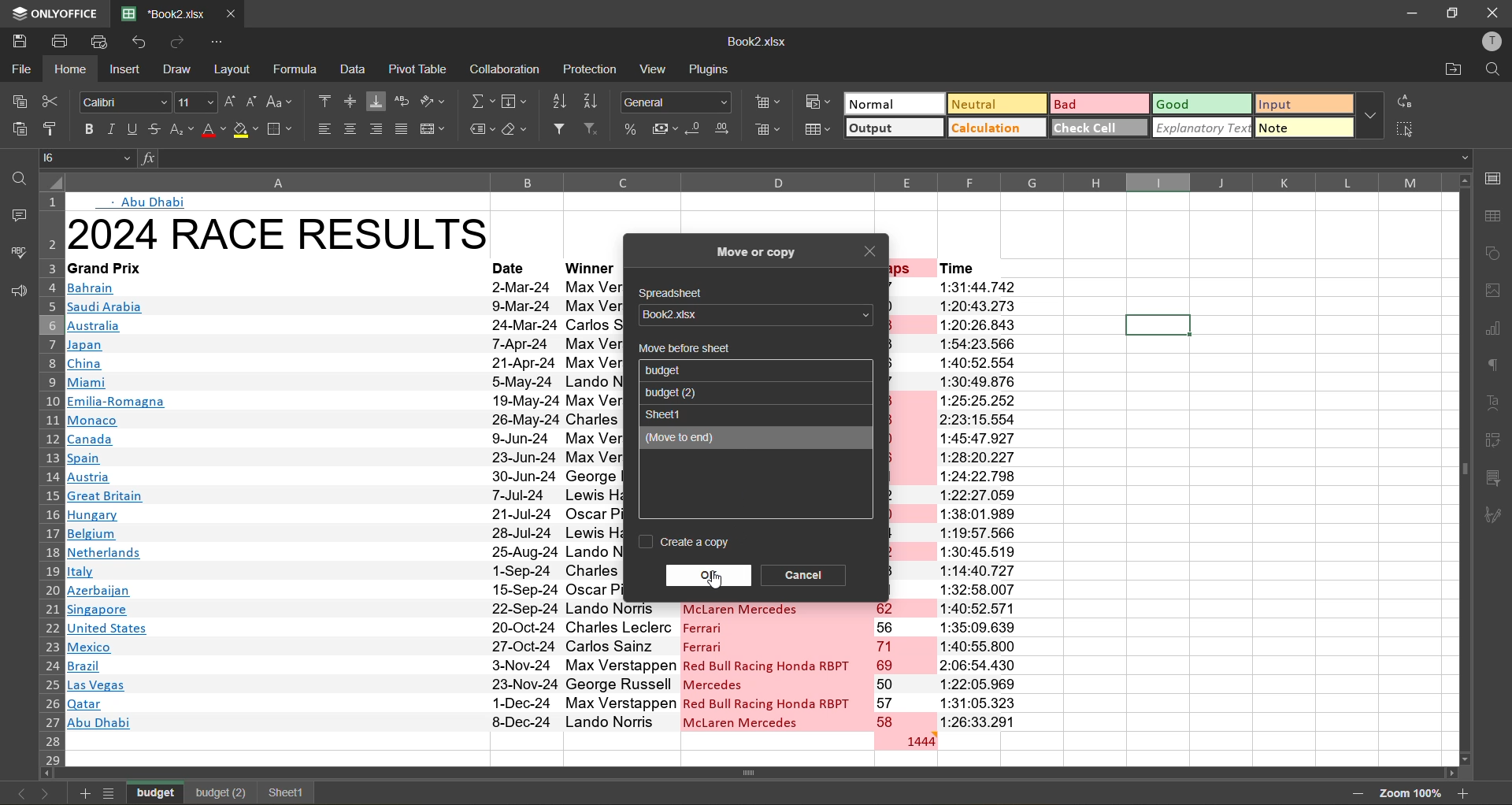 Image resolution: width=1512 pixels, height=805 pixels. Describe the element at coordinates (247, 133) in the screenshot. I see `fill color` at that location.